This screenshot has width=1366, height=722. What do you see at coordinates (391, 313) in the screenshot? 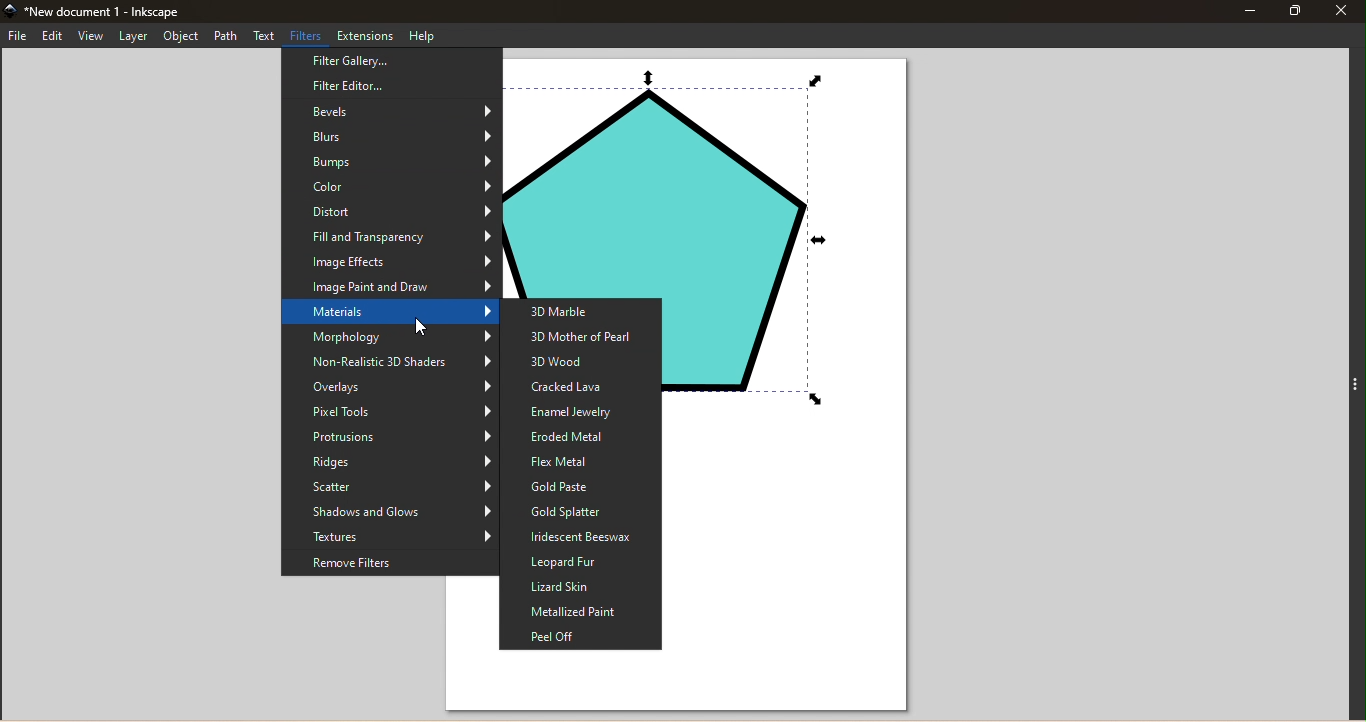
I see `Materials` at bounding box center [391, 313].